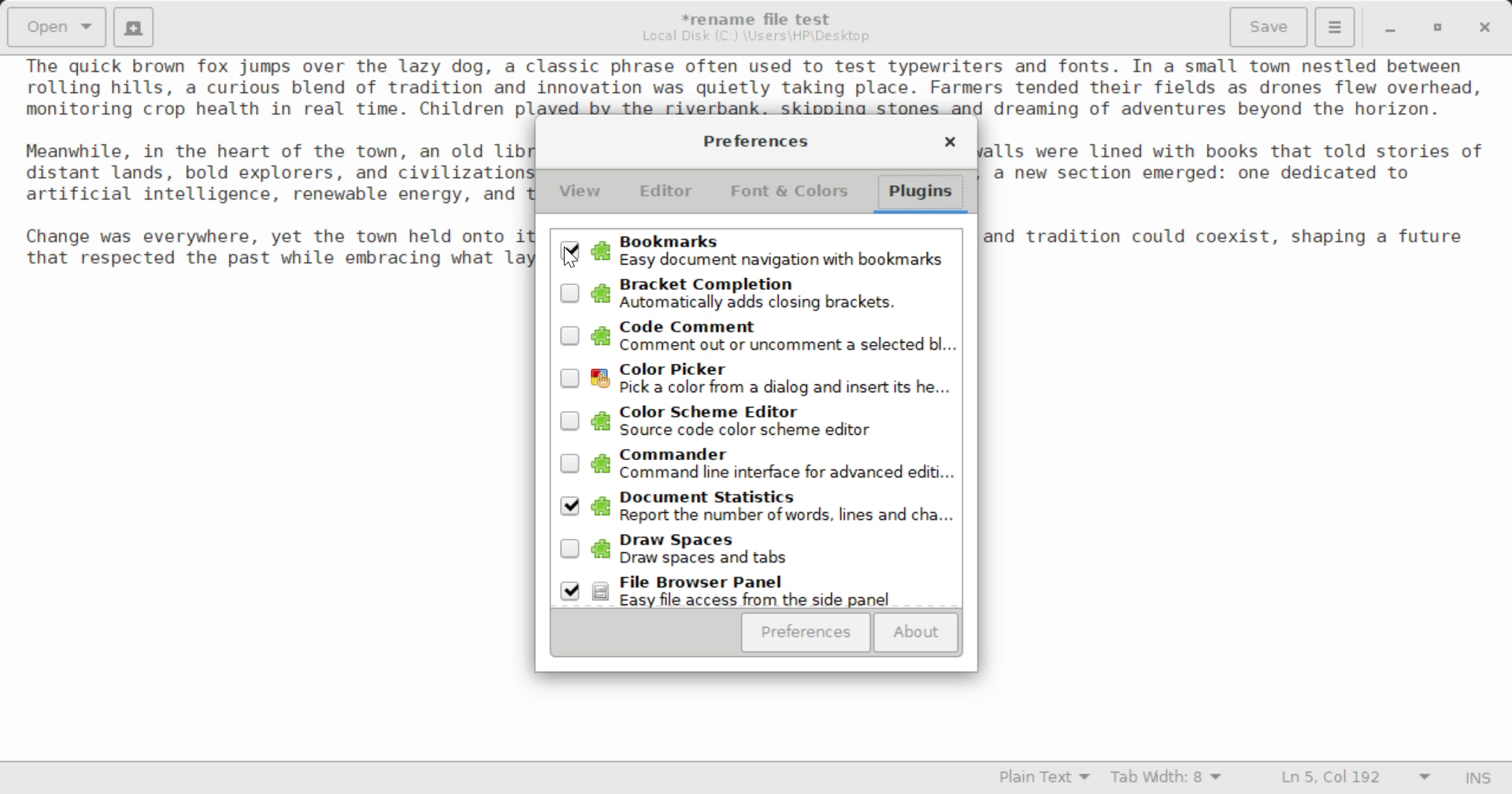 The image size is (1512, 794). Describe the element at coordinates (1478, 780) in the screenshot. I see `Input Mode` at that location.